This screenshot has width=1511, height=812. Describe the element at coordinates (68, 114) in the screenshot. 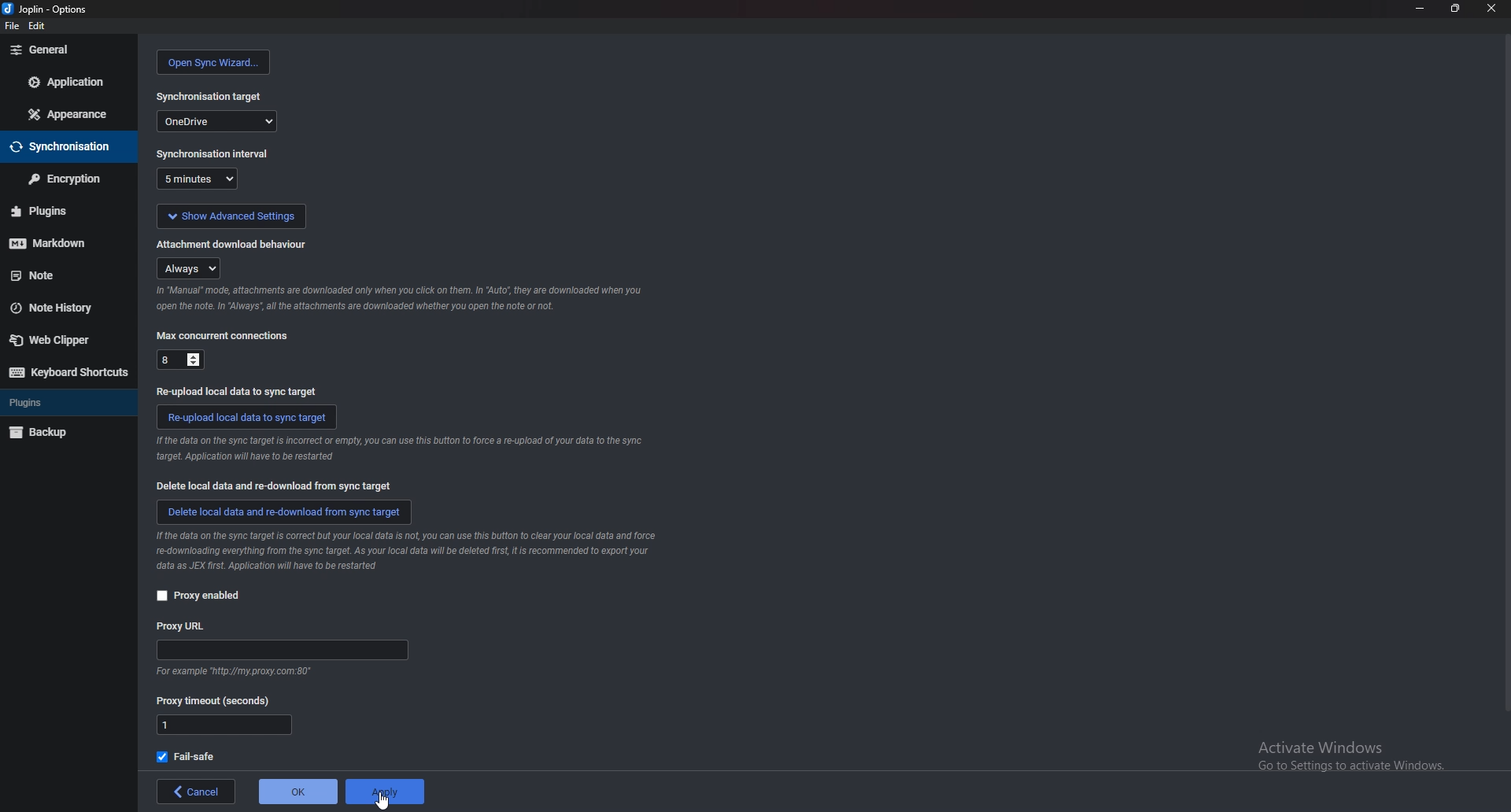

I see `appearance` at that location.